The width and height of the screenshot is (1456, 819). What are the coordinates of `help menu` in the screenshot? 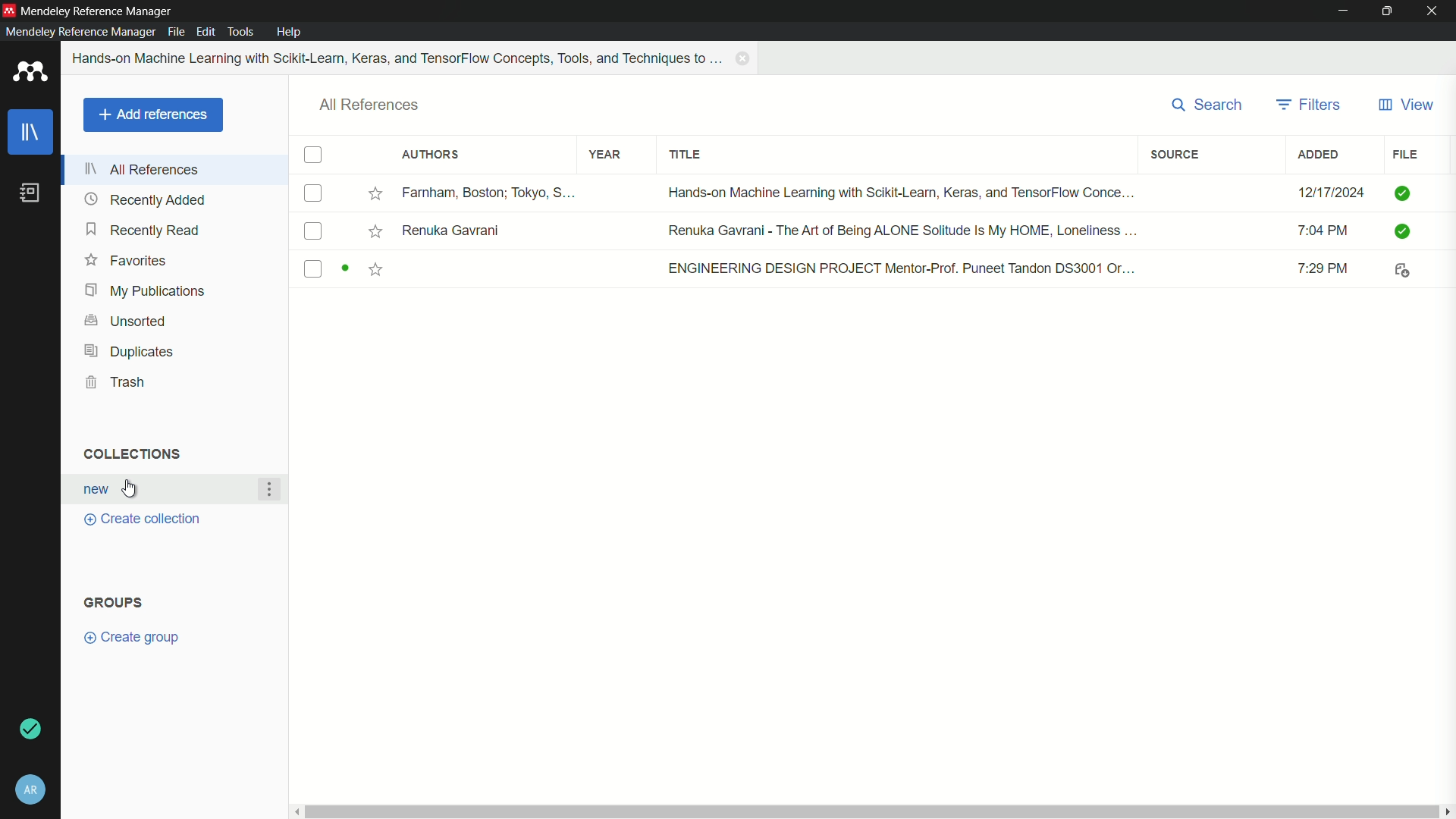 It's located at (290, 32).